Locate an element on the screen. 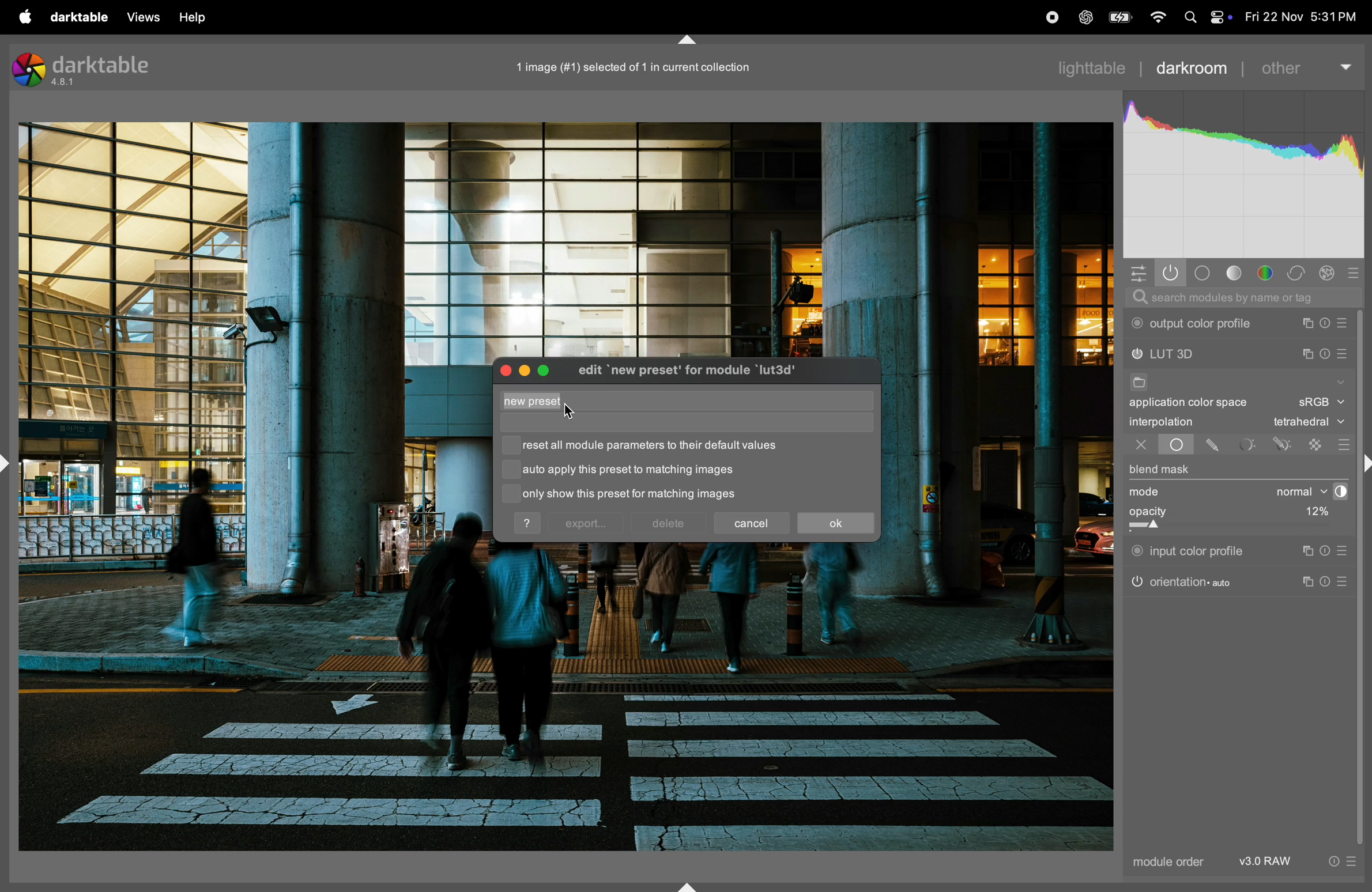 Image resolution: width=1372 pixels, height=892 pixels. uniformly is located at coordinates (1166, 445).